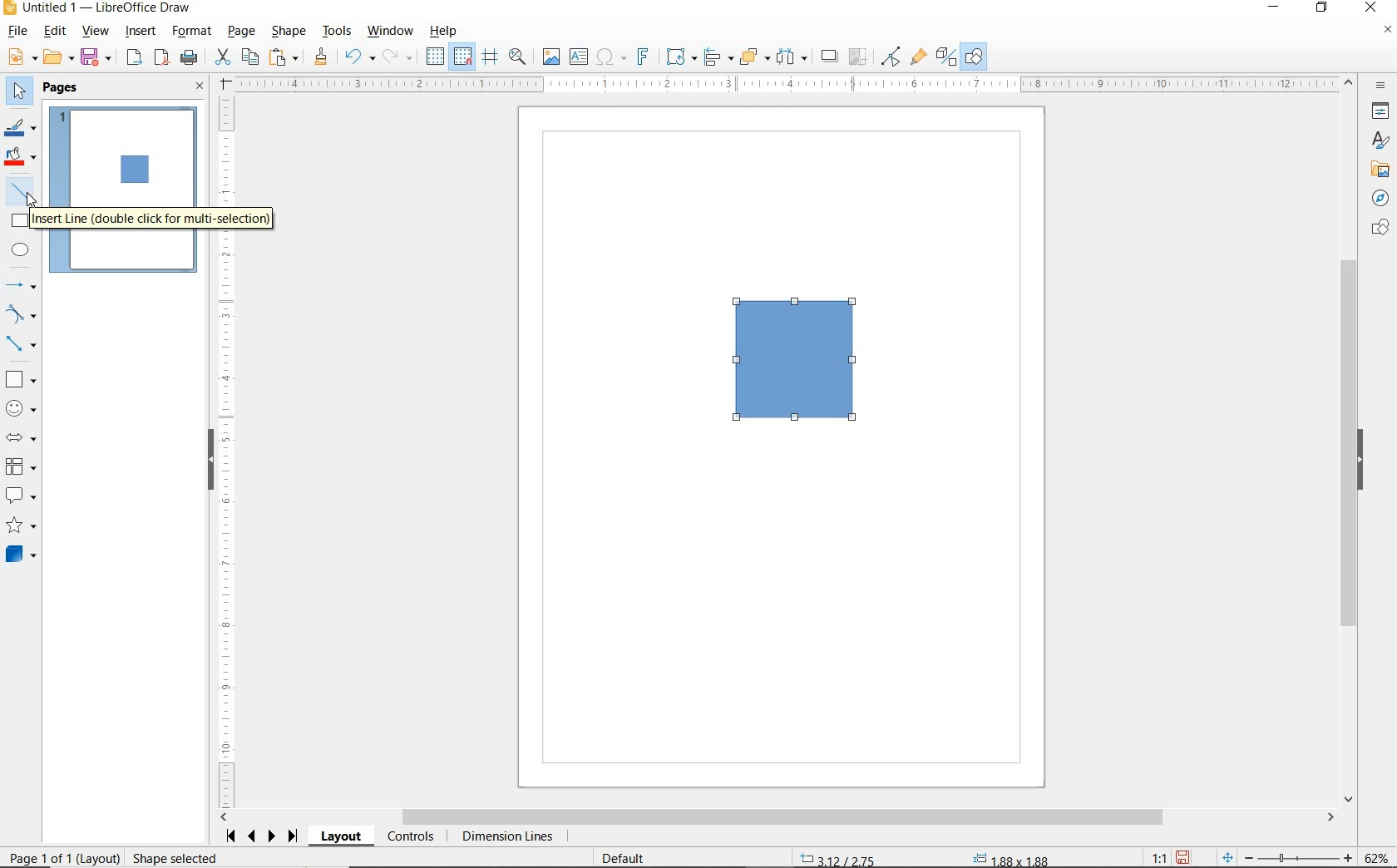 This screenshot has width=1397, height=868. What do you see at coordinates (447, 31) in the screenshot?
I see `HELP` at bounding box center [447, 31].